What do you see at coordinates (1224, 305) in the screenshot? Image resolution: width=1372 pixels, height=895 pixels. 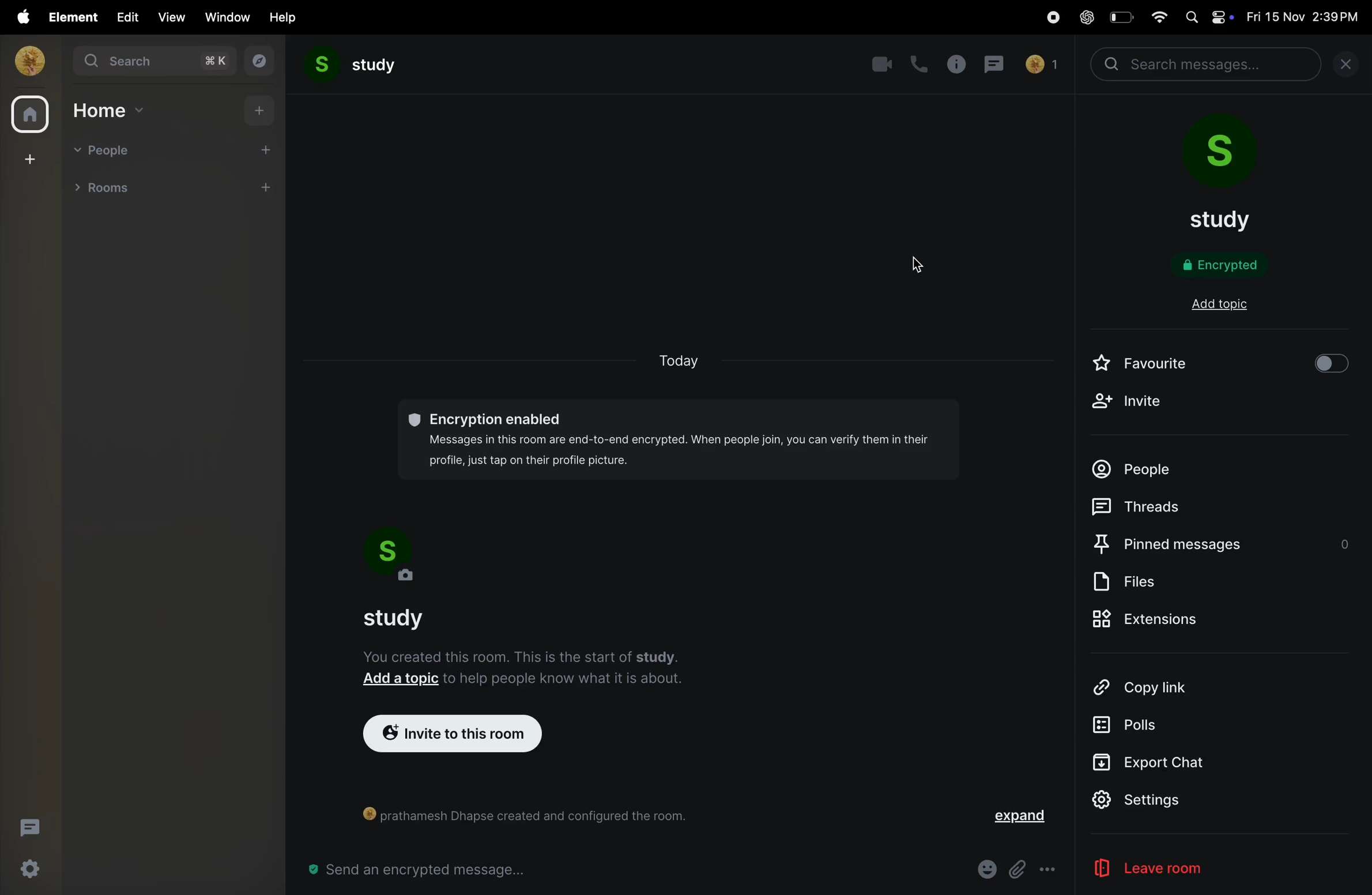 I see `add topi` at bounding box center [1224, 305].